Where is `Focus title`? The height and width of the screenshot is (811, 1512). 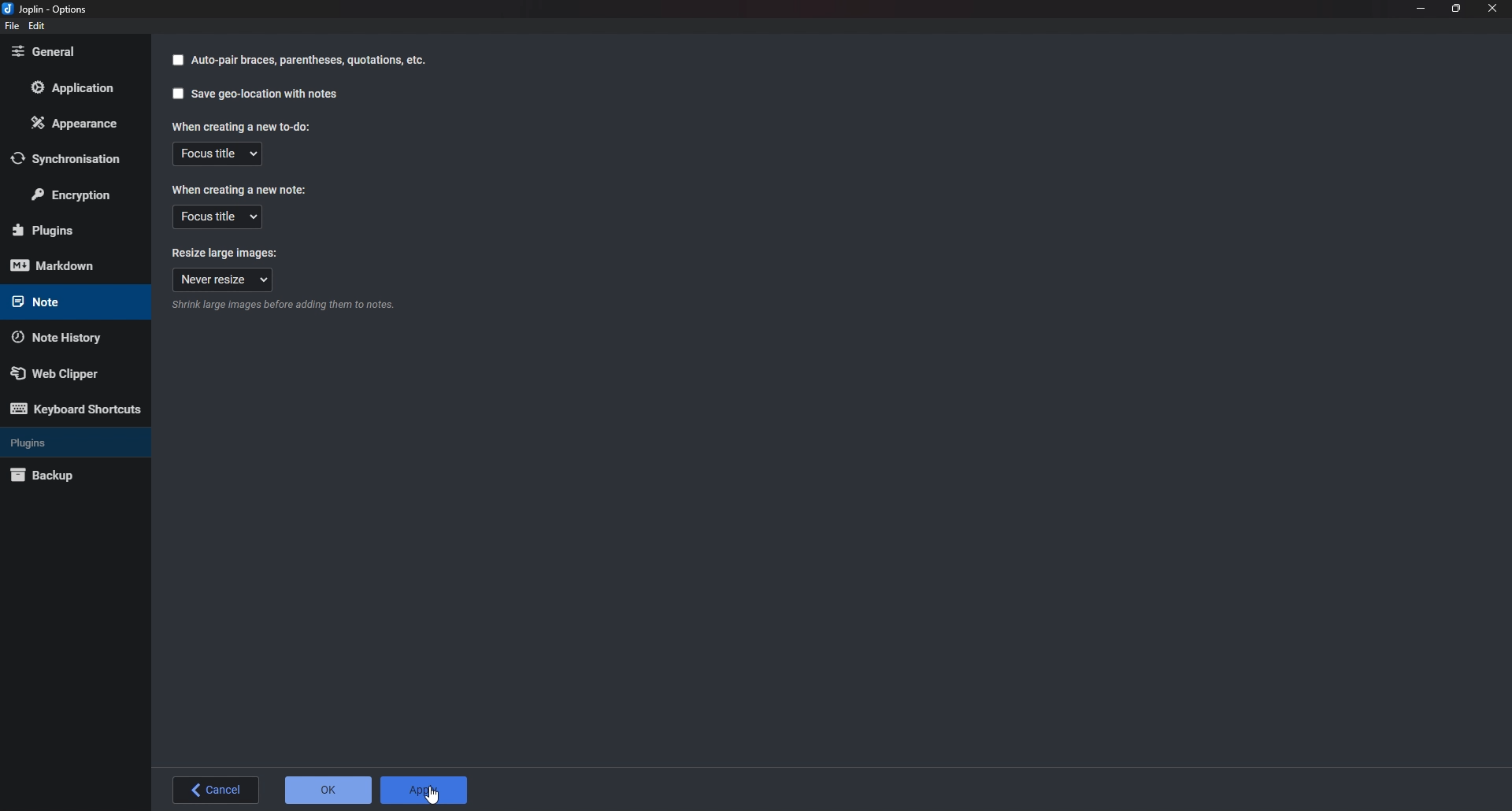 Focus title is located at coordinates (216, 218).